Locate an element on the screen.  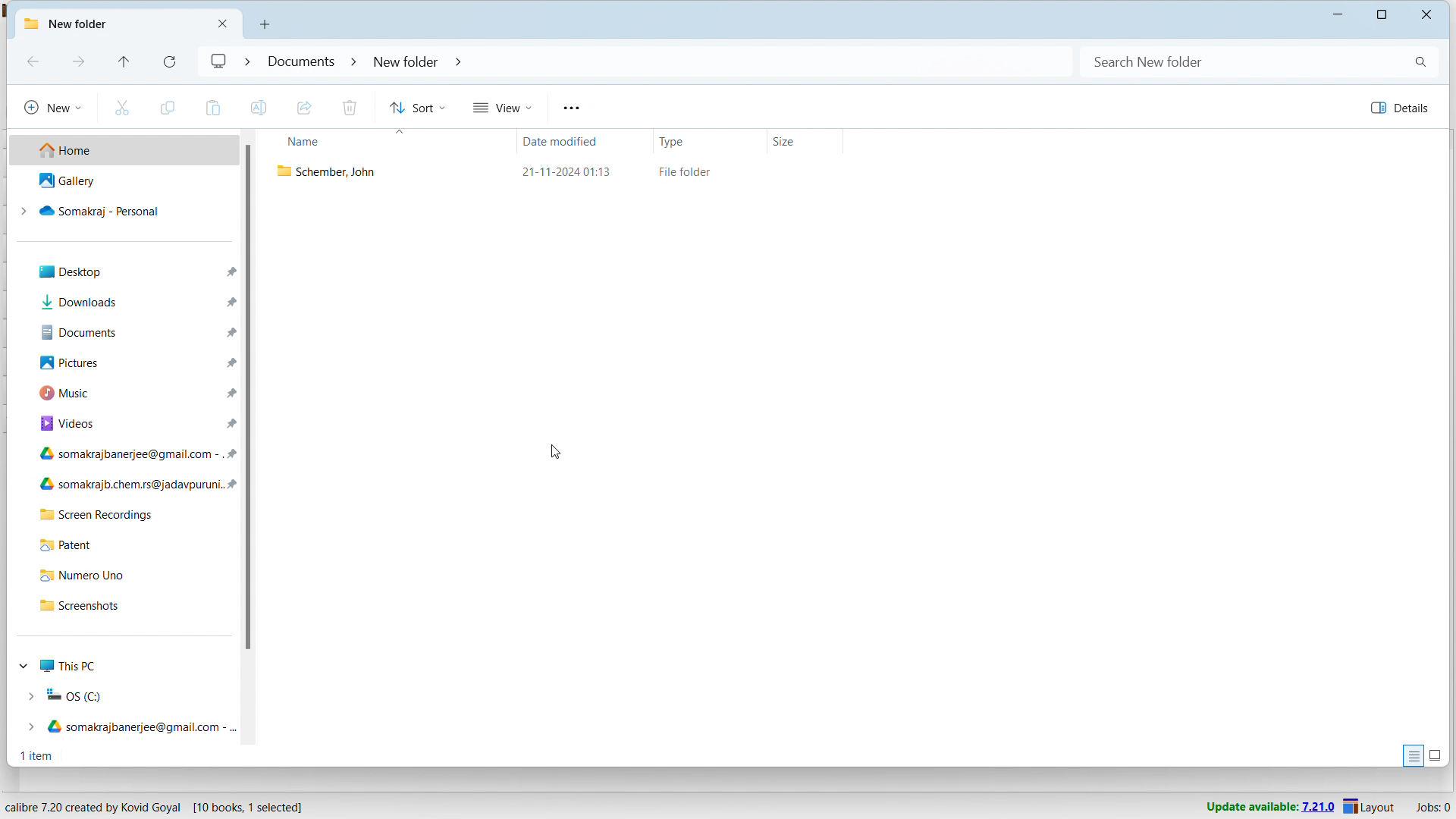
somakraj - personal is located at coordinates (113, 210).